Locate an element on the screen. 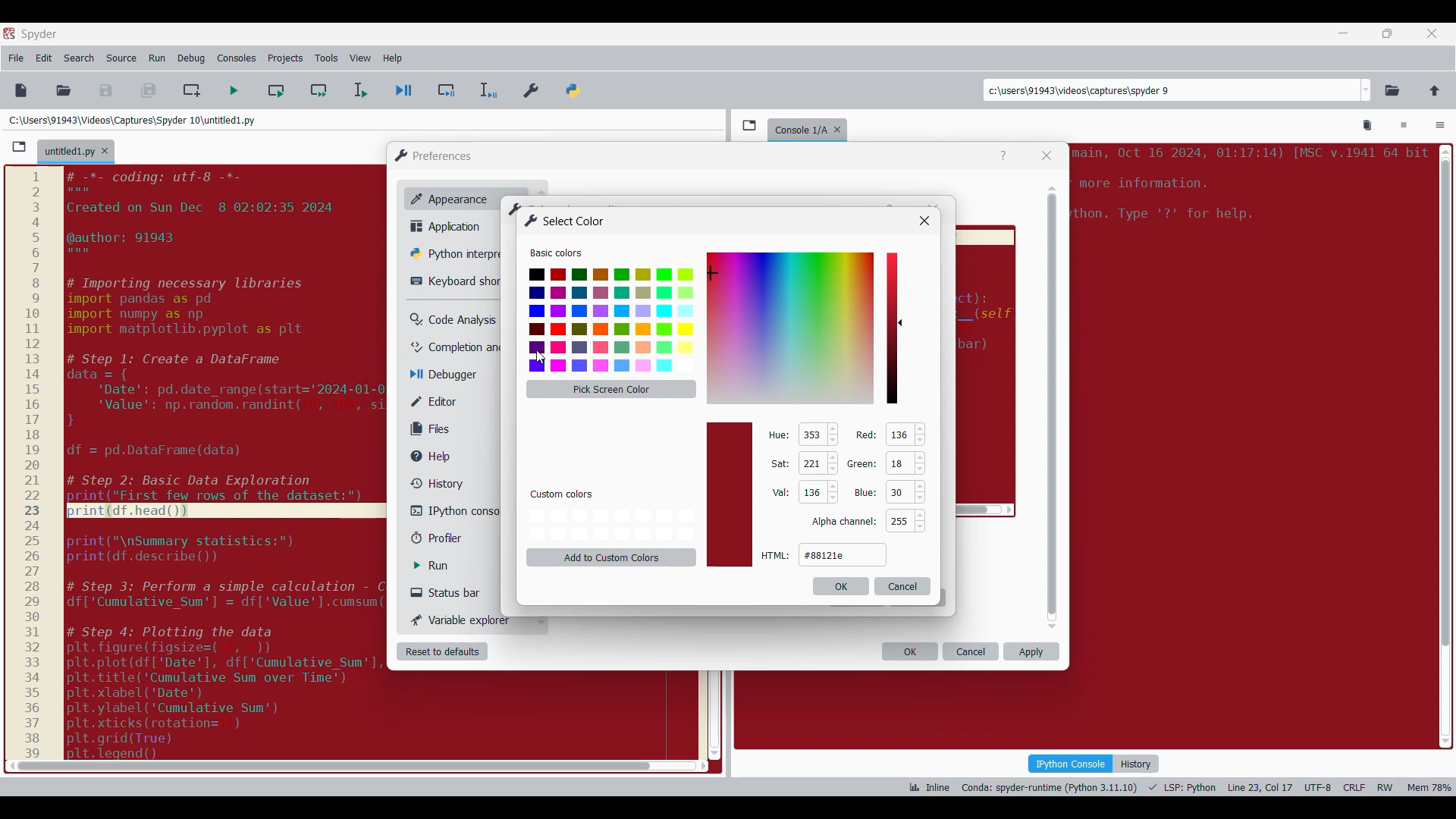 This screenshot has width=1456, height=819. 18 is located at coordinates (900, 463).